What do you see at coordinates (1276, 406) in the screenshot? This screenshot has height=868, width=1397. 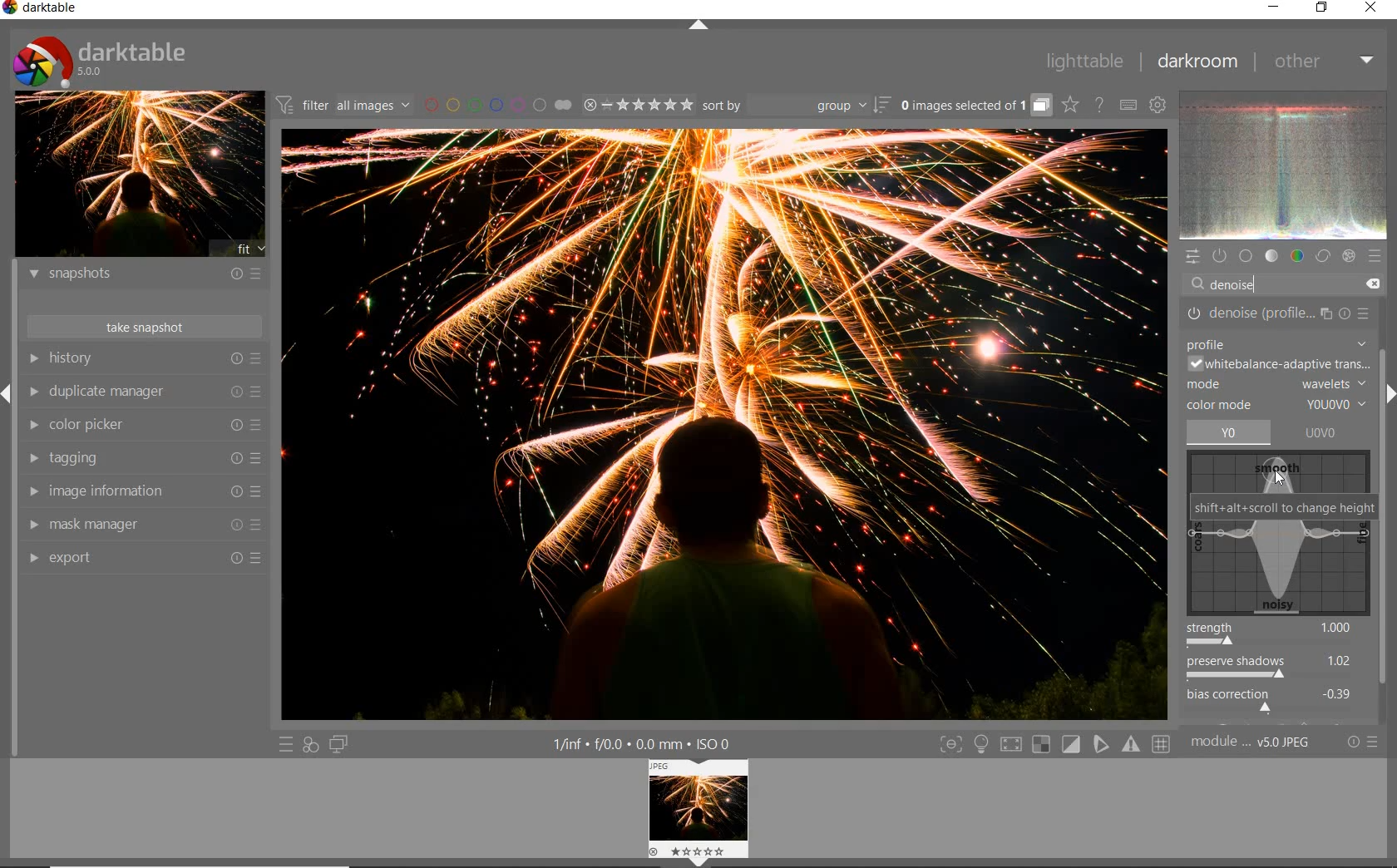 I see `COLOR MODE` at bounding box center [1276, 406].